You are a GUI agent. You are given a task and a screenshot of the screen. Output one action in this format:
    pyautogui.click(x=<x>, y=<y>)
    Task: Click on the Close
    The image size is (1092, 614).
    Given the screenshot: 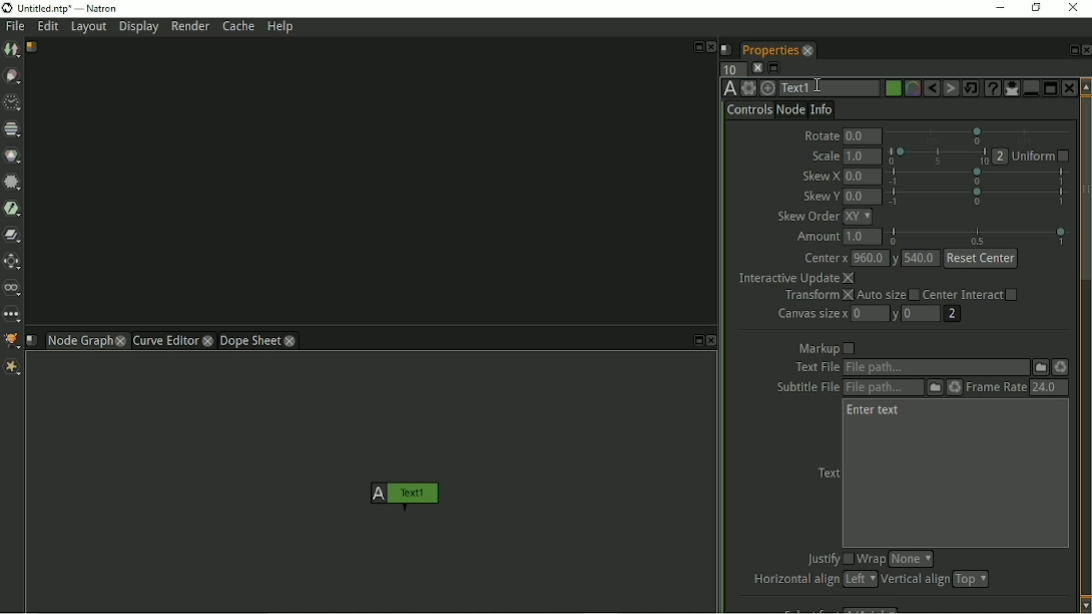 What is the action you would take?
    pyautogui.click(x=711, y=47)
    